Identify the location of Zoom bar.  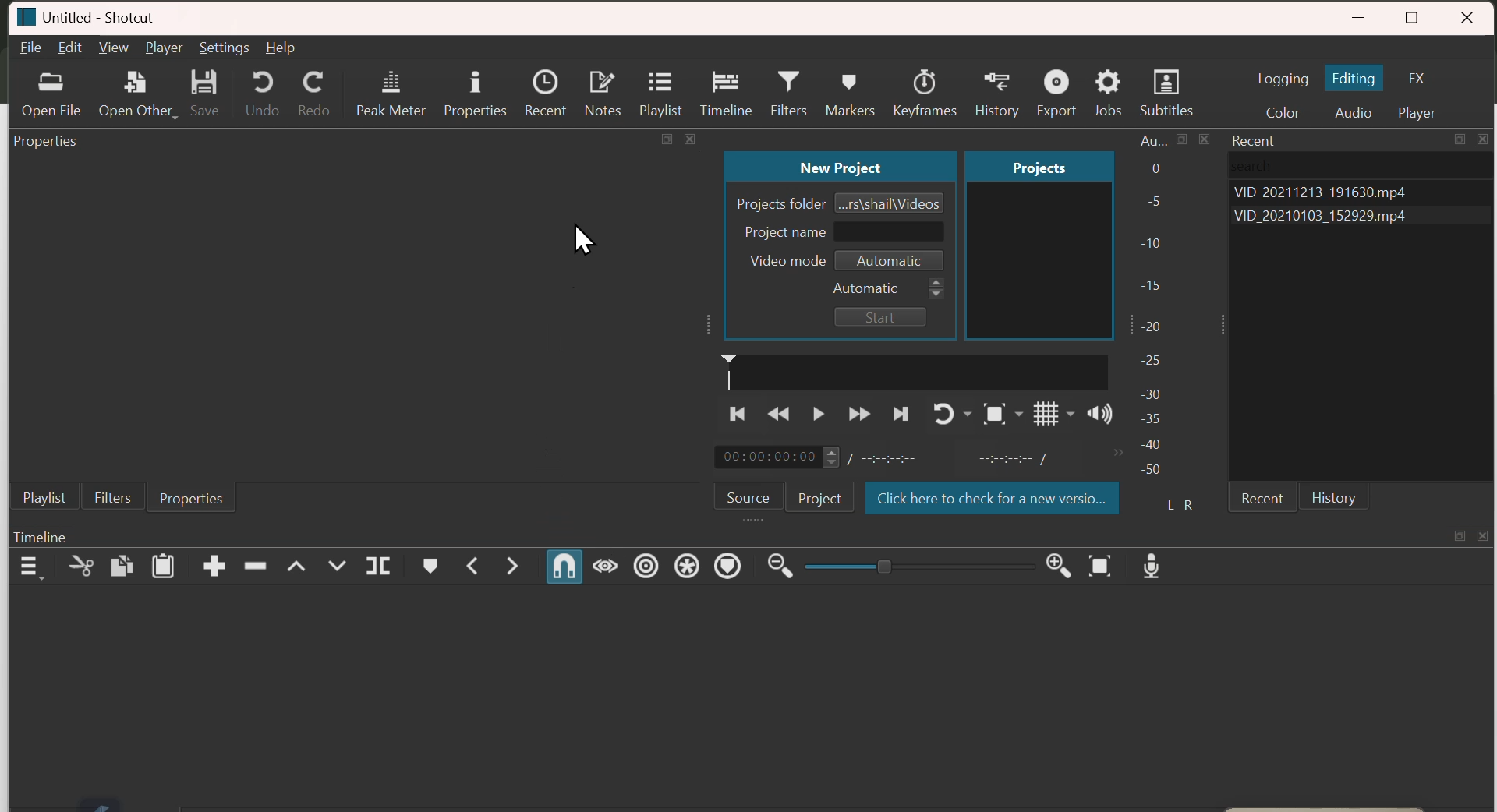
(919, 566).